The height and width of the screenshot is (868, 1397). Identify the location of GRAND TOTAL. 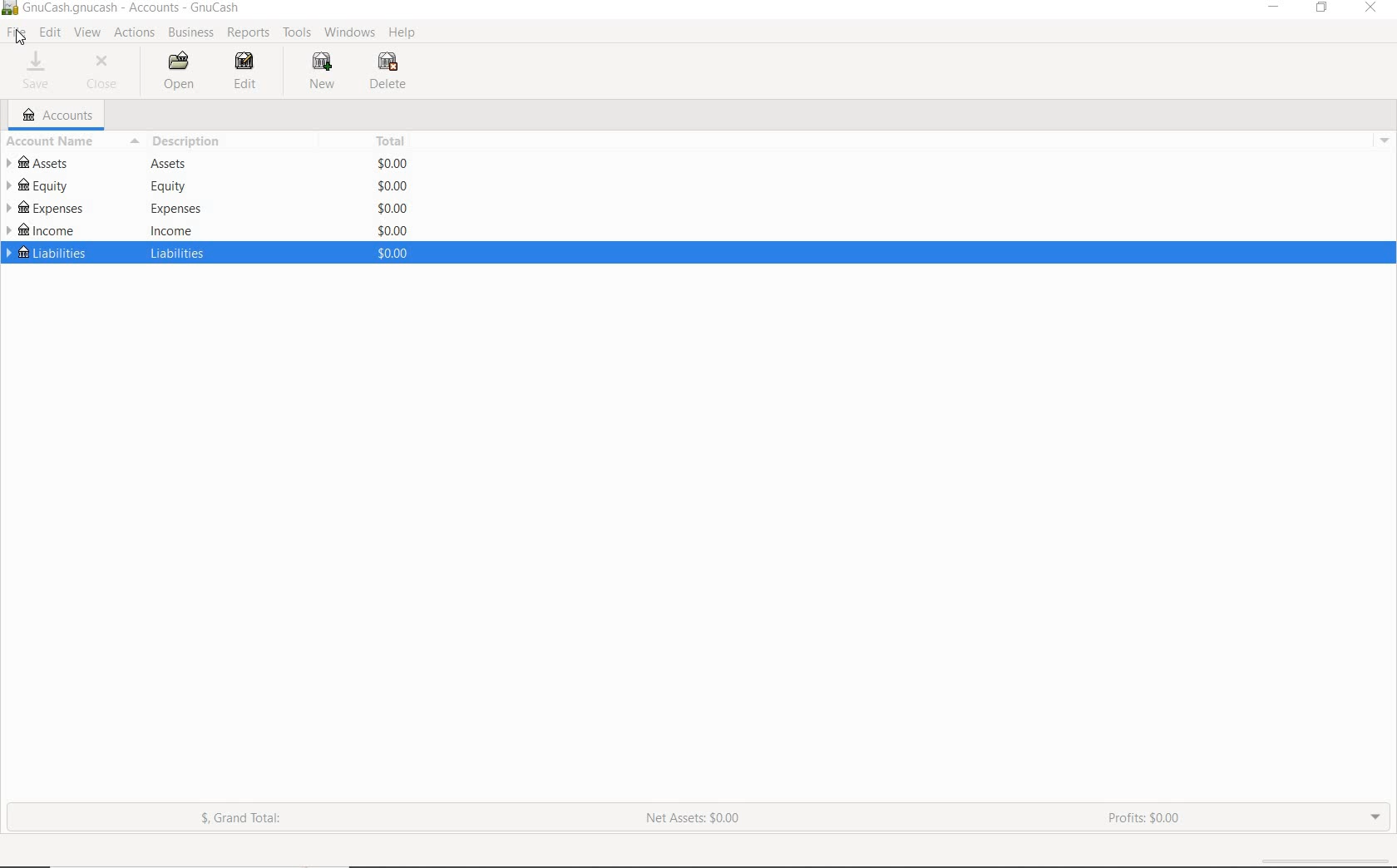
(240, 819).